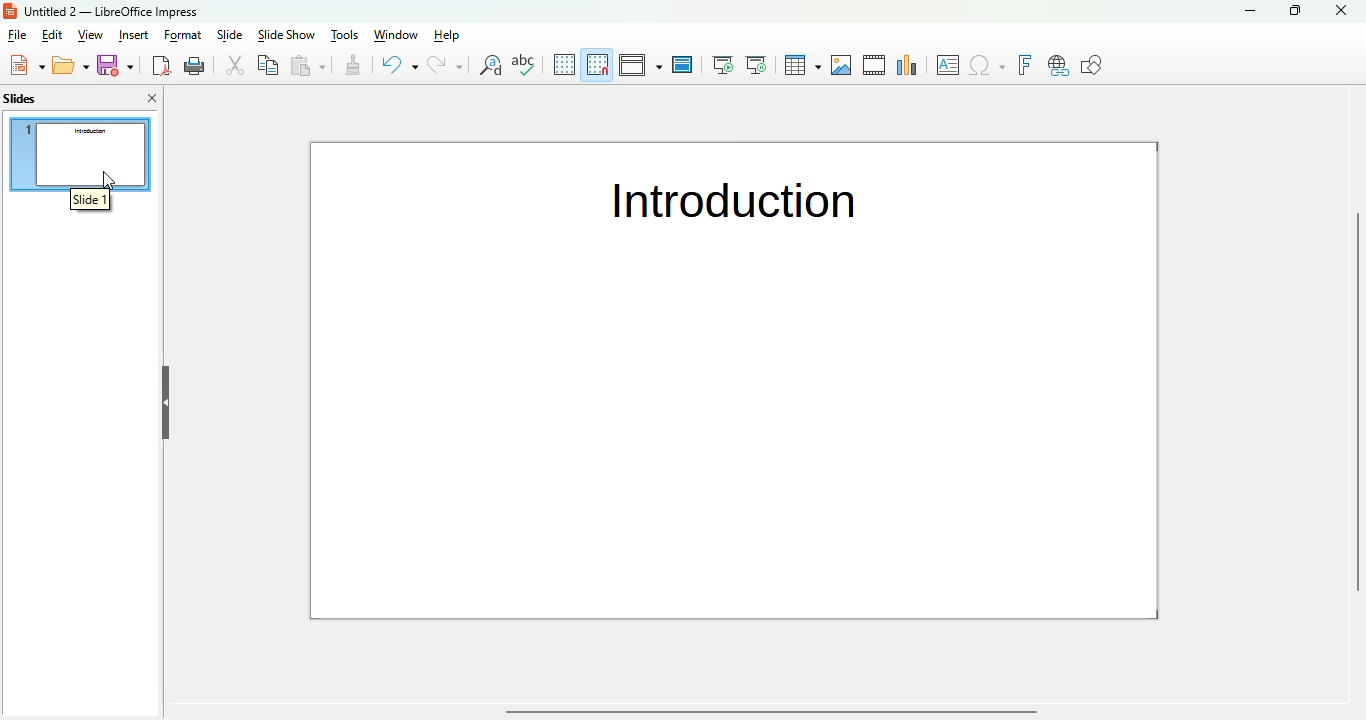 The image size is (1366, 720). I want to click on slide, so click(230, 34).